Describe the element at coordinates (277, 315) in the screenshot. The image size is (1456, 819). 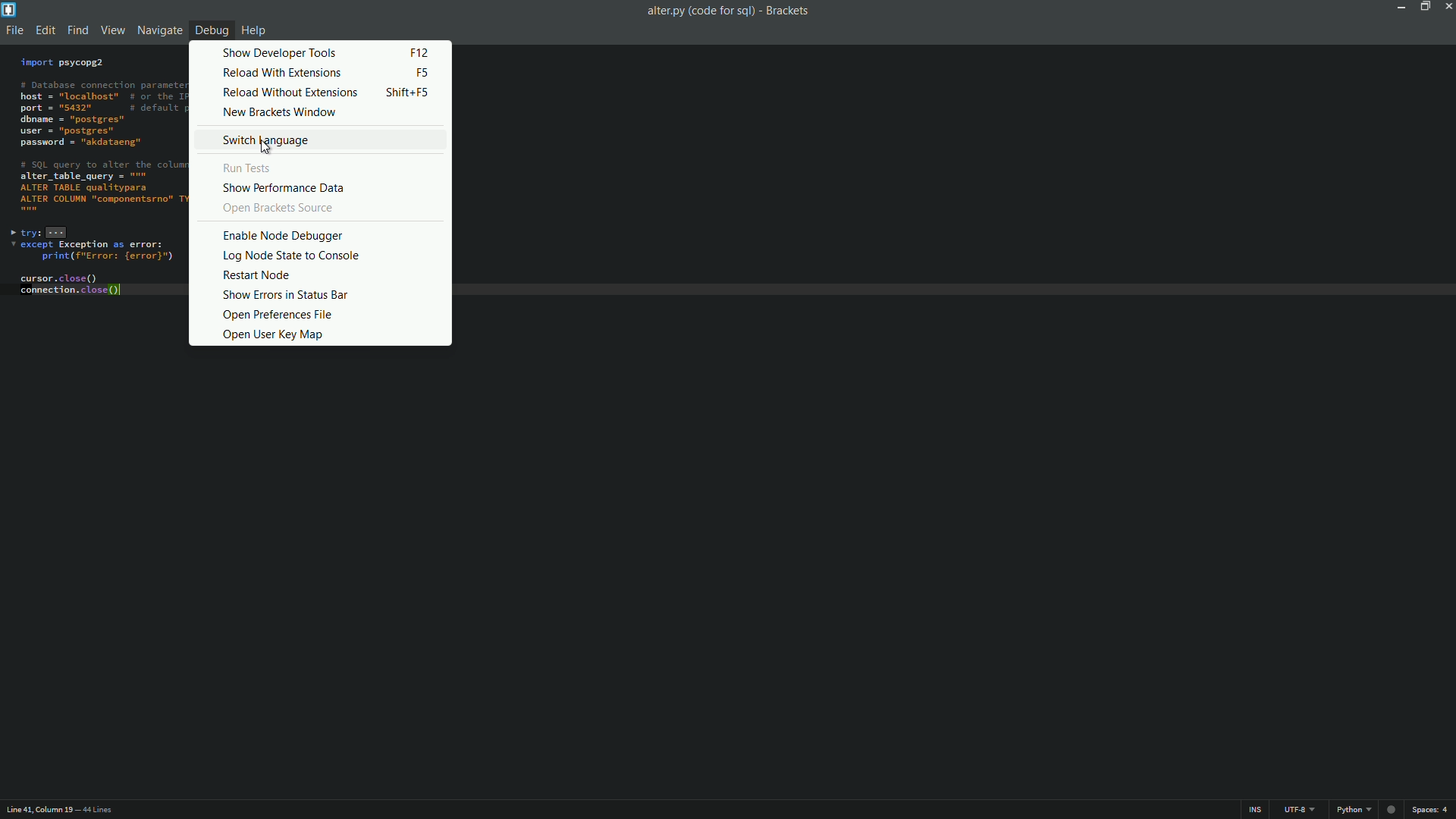
I see `Open preferences file` at that location.